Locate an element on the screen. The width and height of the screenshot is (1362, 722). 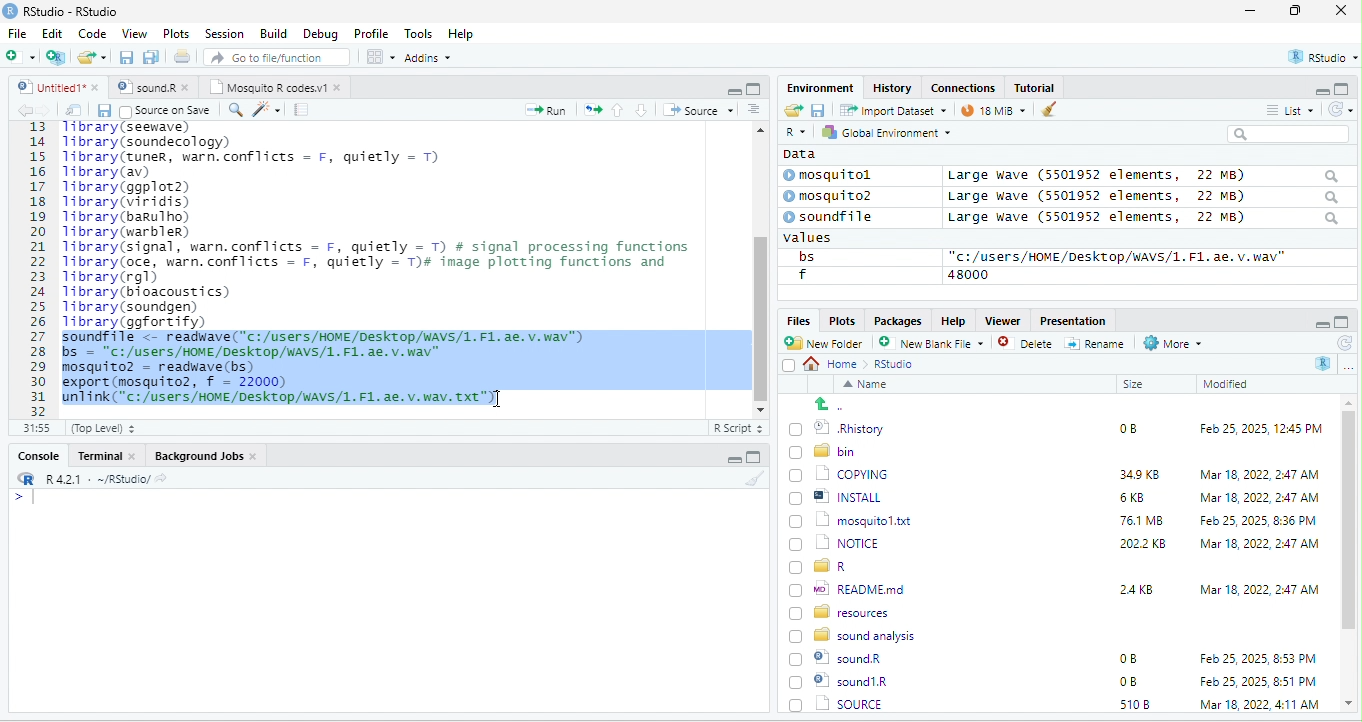
8 sound analysis is located at coordinates (855, 634).